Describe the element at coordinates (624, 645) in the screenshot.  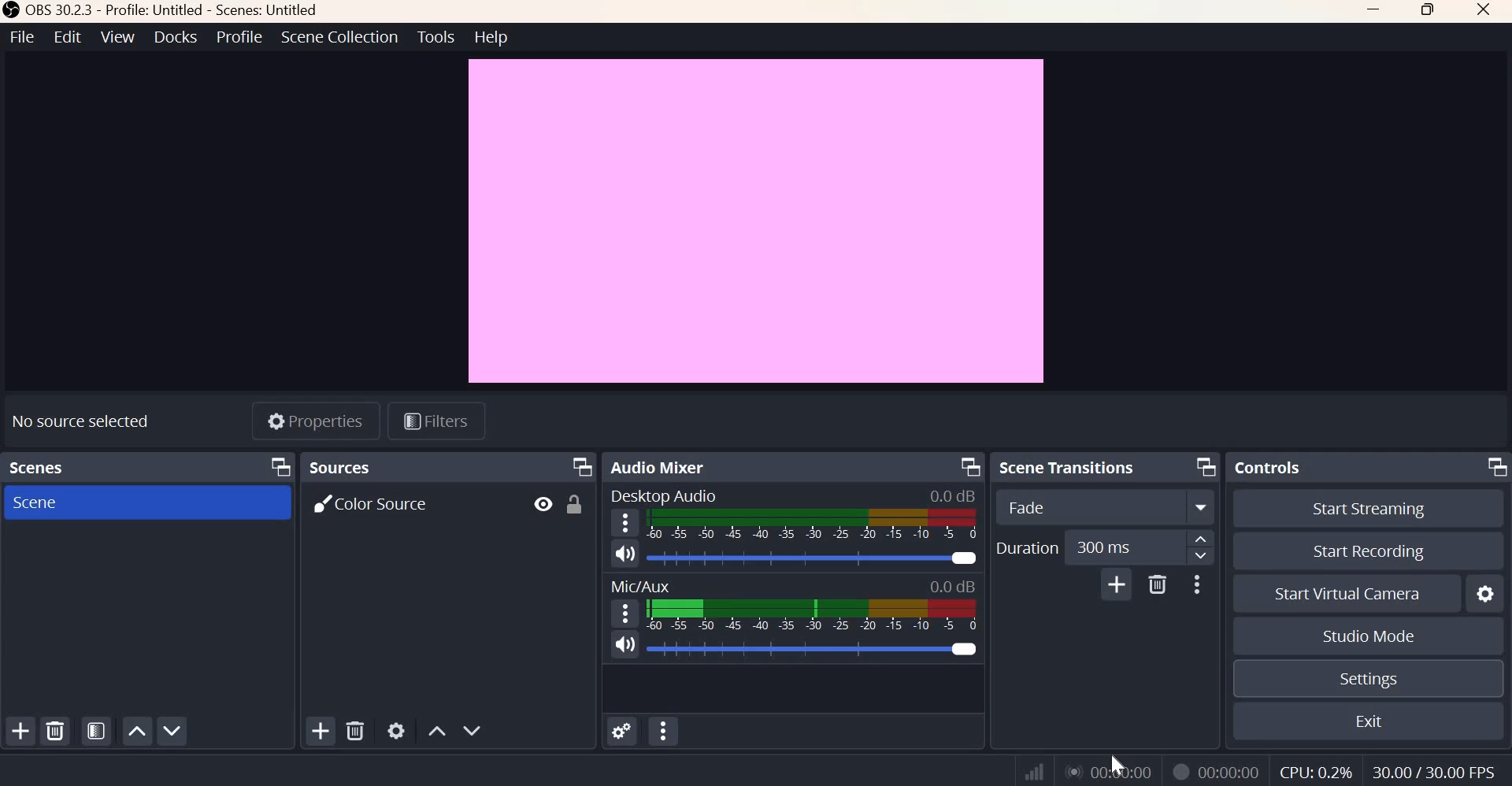
I see `Speaker Icon` at that location.